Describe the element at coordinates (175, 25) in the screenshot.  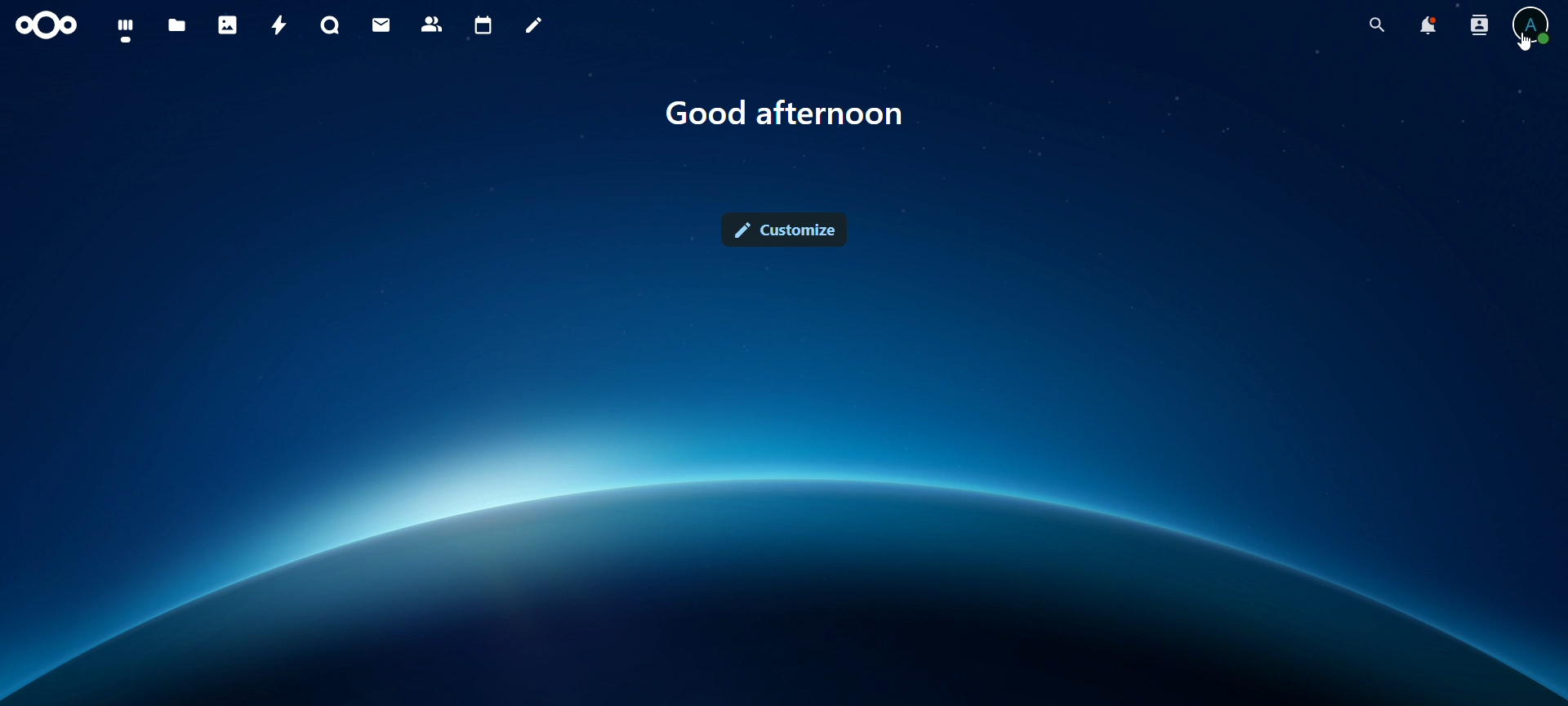
I see `files` at that location.